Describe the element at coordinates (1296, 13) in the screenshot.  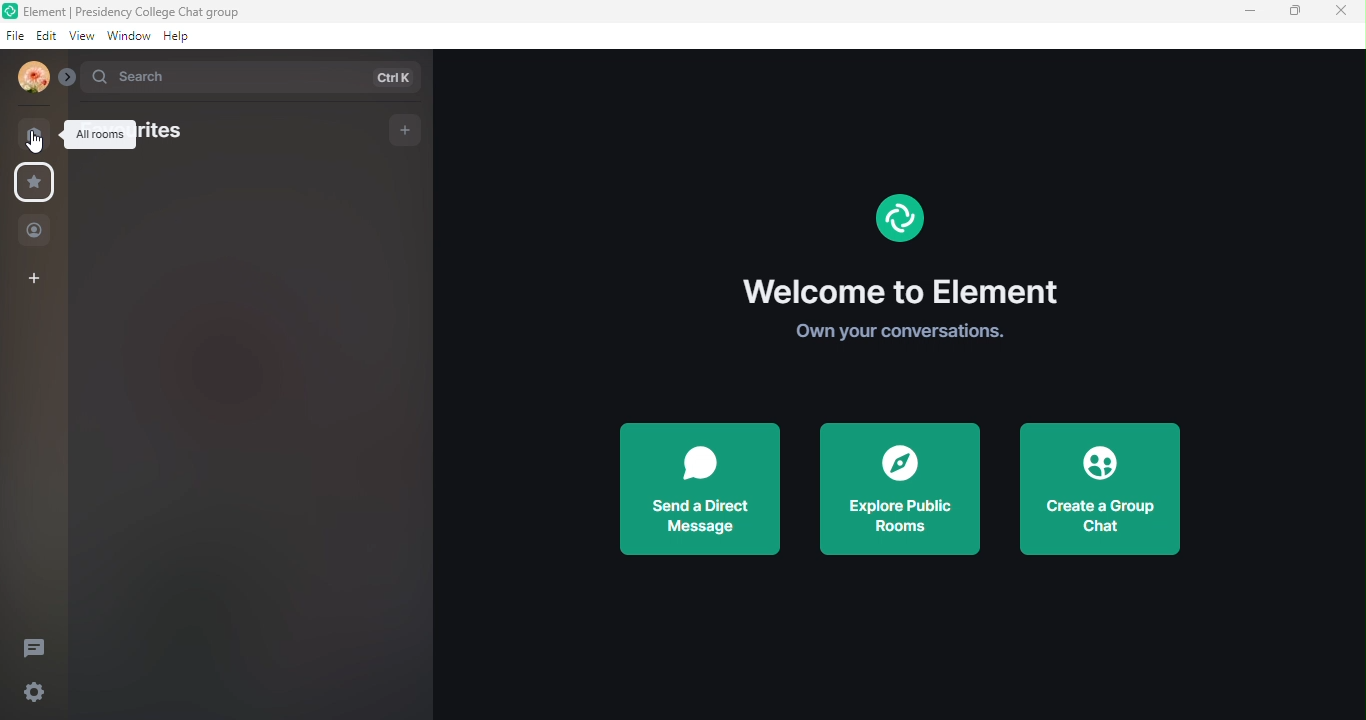
I see `maximize` at that location.